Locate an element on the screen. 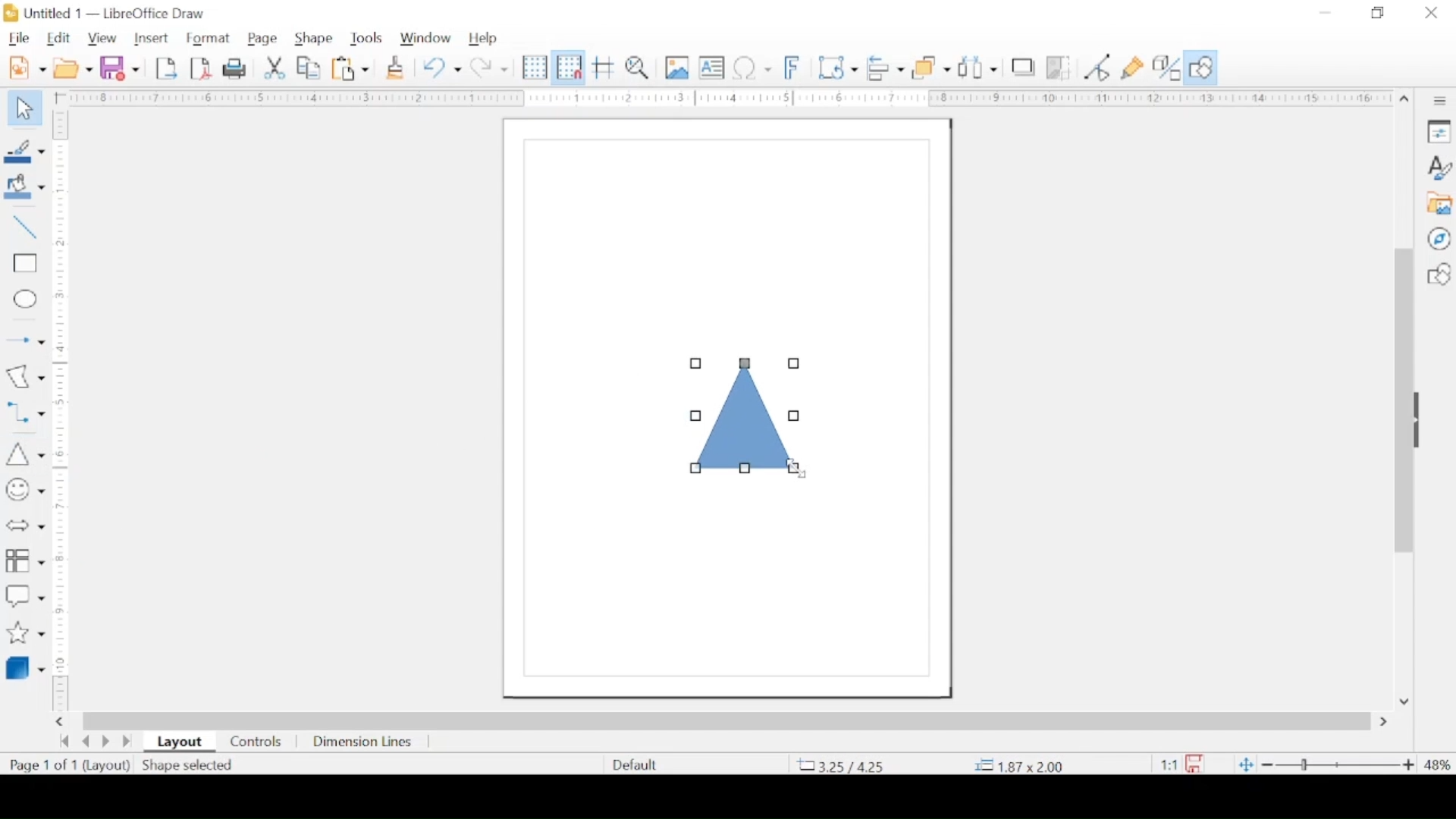 This screenshot has height=819, width=1456. drag handle is located at coordinates (1423, 421).